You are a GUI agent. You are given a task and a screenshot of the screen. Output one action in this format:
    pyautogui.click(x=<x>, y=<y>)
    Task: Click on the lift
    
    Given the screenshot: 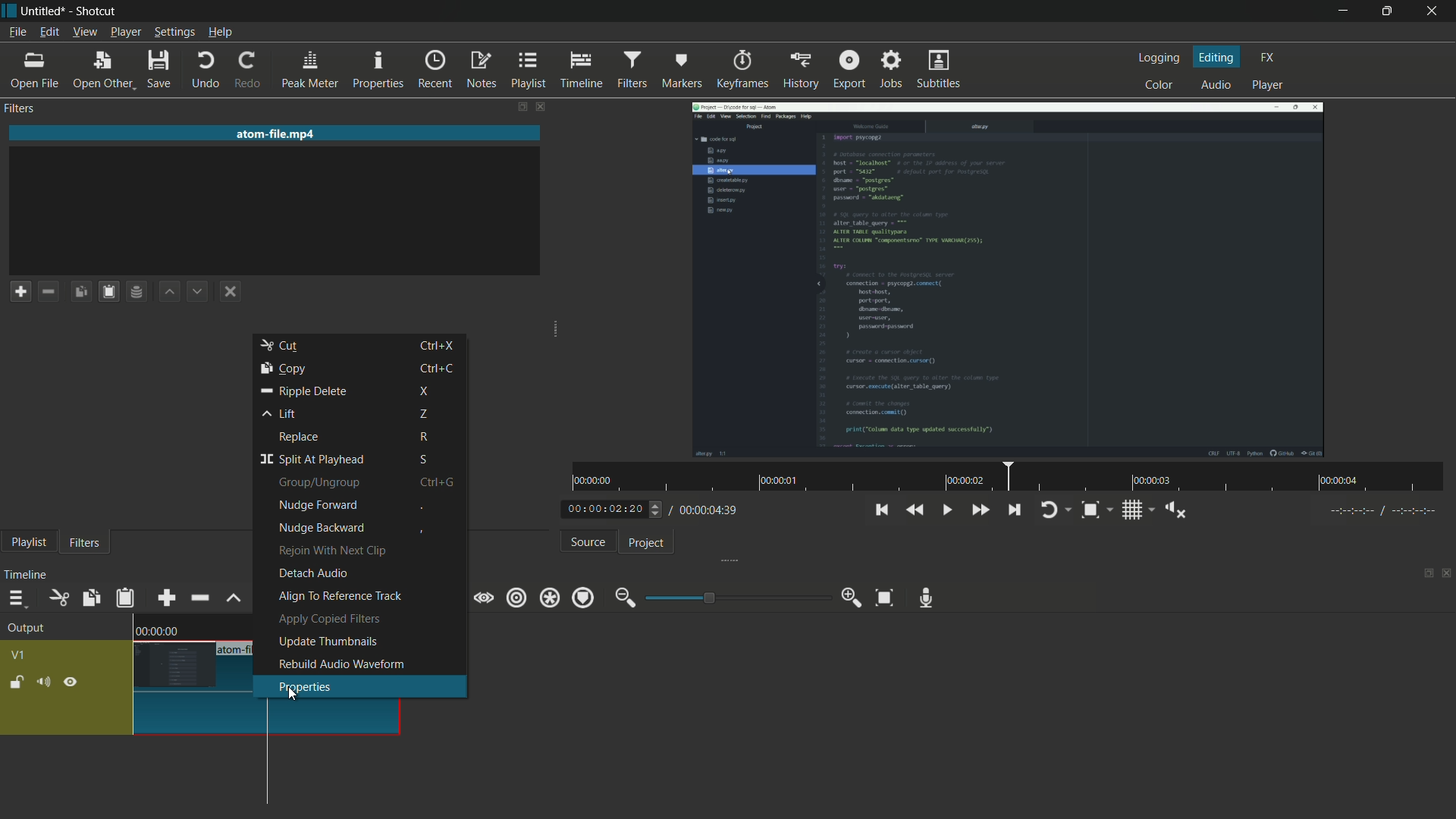 What is the action you would take?
    pyautogui.click(x=279, y=414)
    